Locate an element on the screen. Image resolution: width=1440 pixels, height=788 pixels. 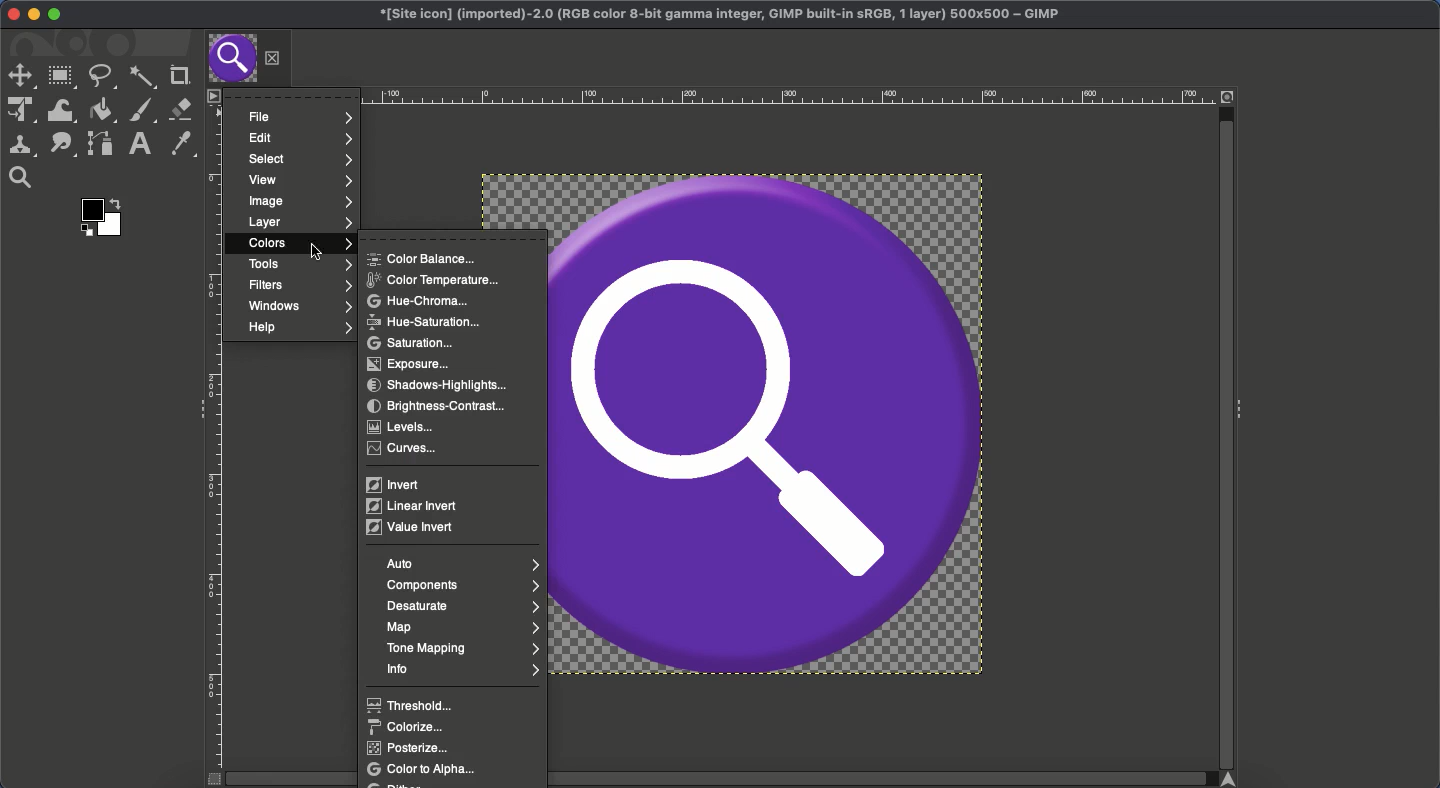
Ruler is located at coordinates (724, 96).